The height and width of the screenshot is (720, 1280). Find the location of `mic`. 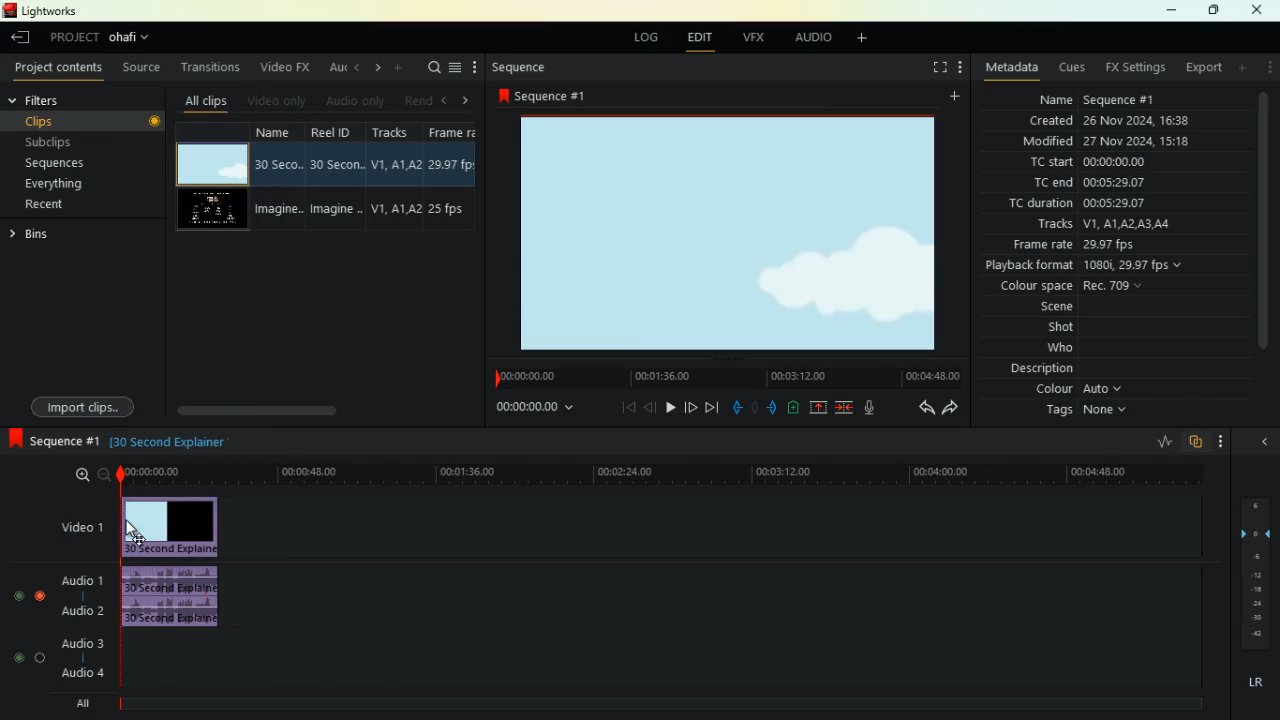

mic is located at coordinates (873, 405).